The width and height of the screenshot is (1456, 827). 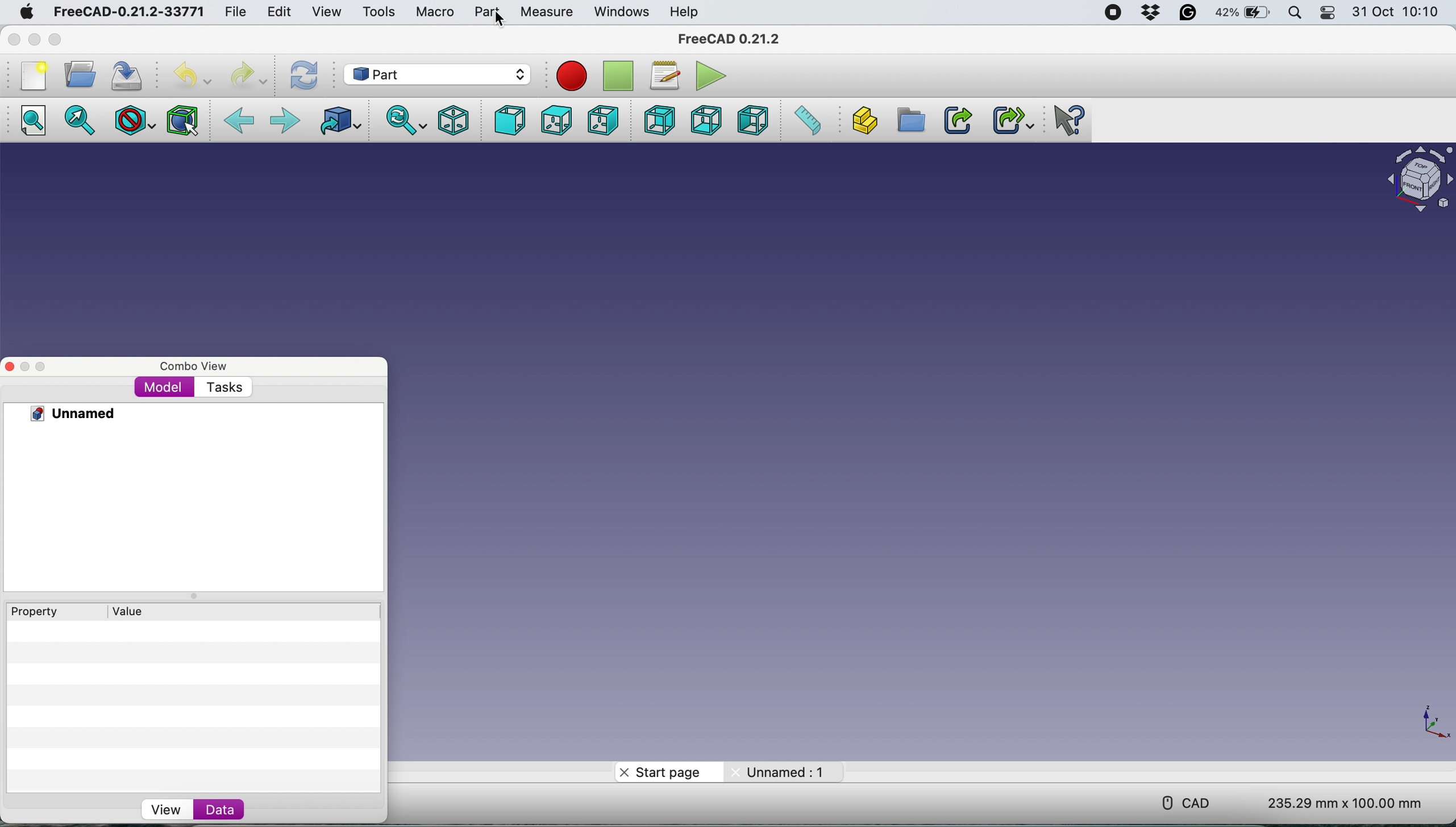 What do you see at coordinates (165, 811) in the screenshot?
I see `View` at bounding box center [165, 811].